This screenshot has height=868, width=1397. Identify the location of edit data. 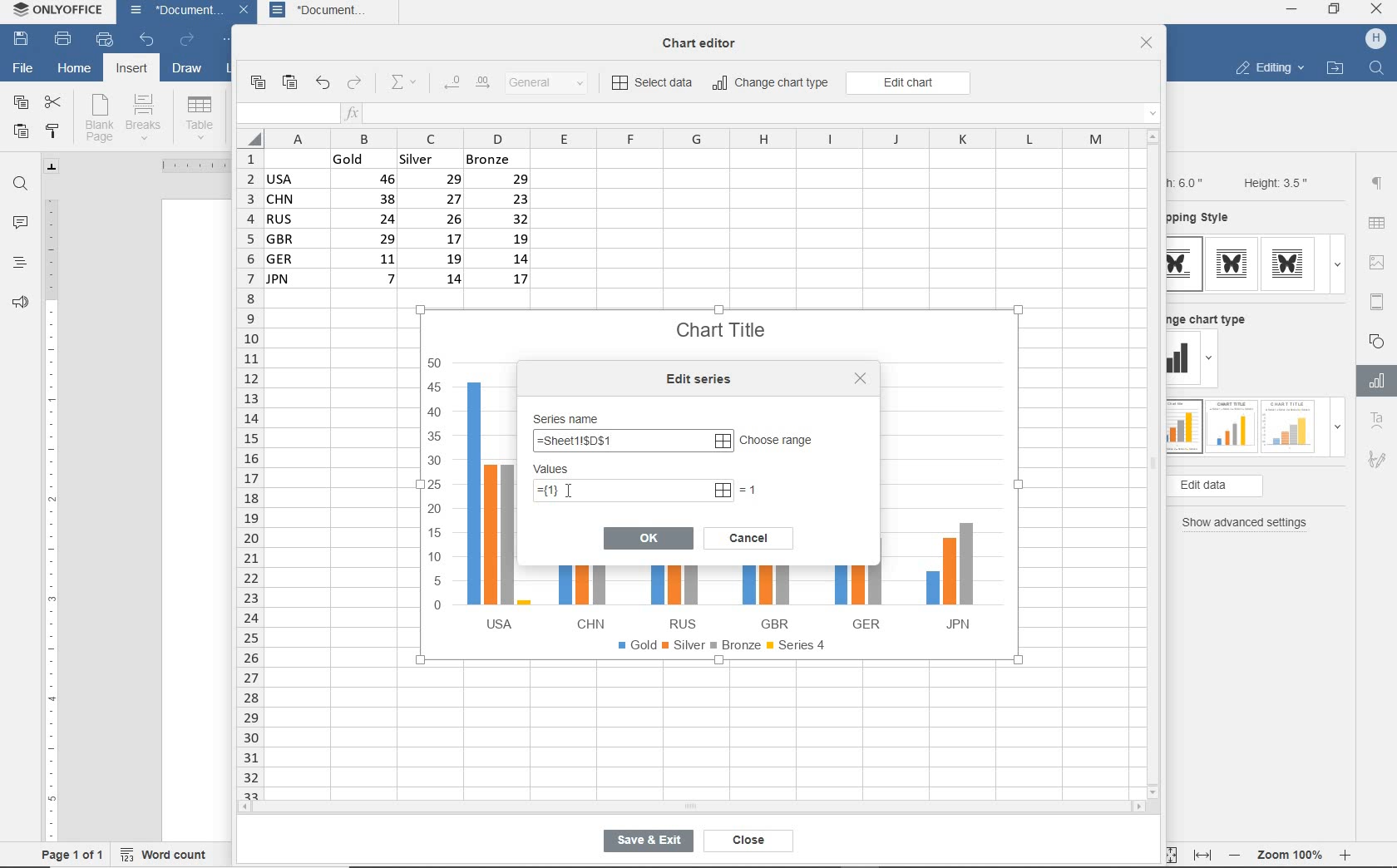
(1242, 486).